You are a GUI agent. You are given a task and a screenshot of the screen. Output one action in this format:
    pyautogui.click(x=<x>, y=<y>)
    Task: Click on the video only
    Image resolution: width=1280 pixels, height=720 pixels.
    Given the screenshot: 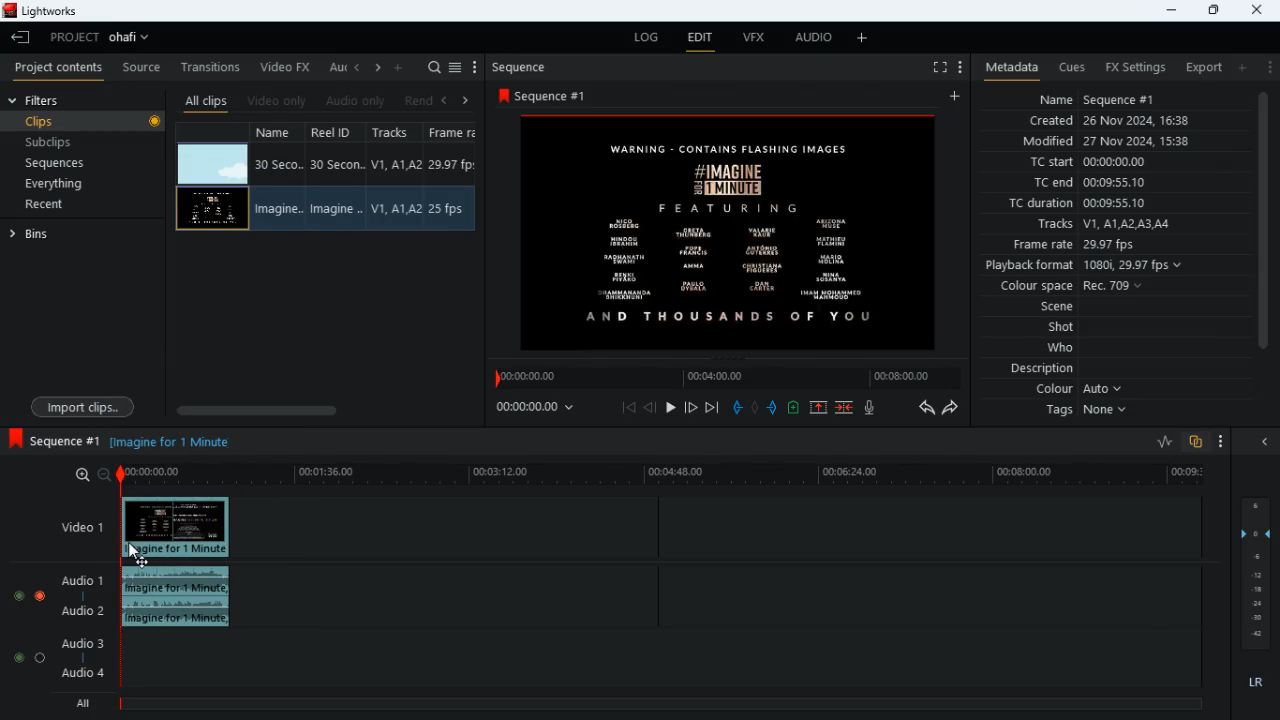 What is the action you would take?
    pyautogui.click(x=280, y=98)
    